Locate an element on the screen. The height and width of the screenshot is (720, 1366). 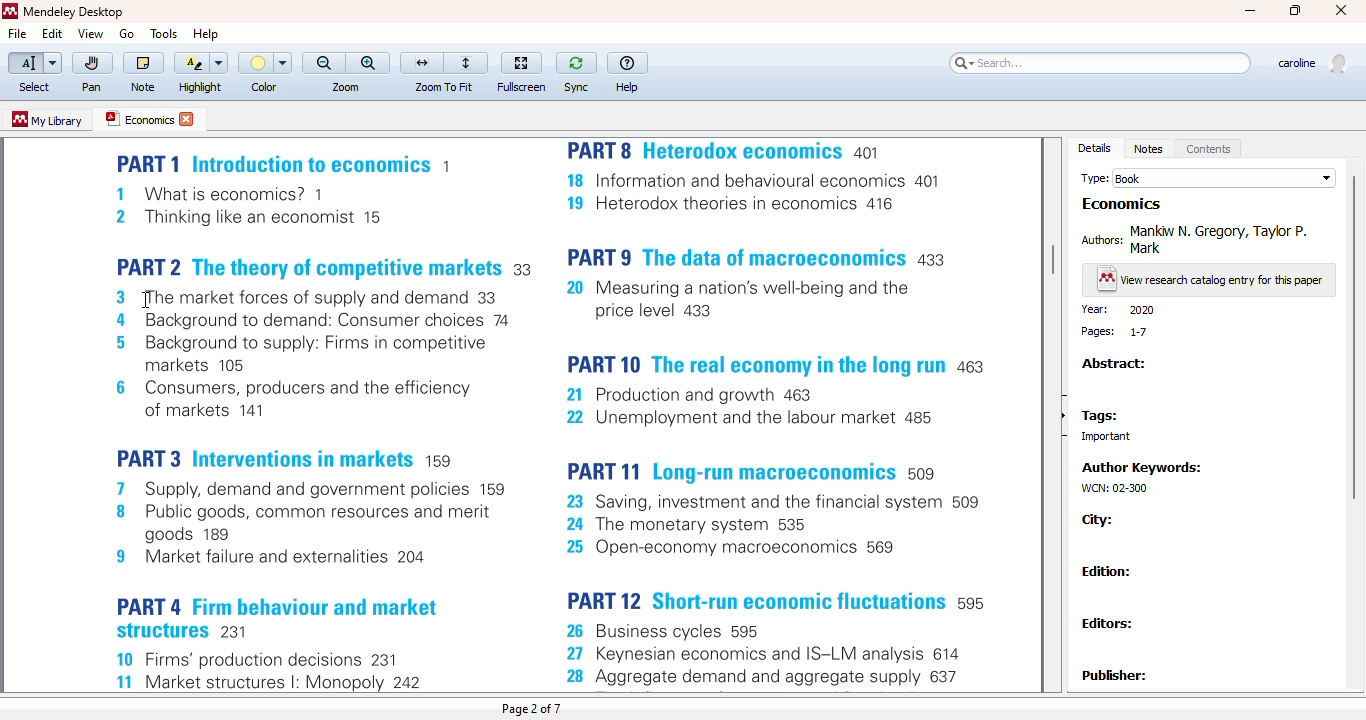
mendeley desktop is located at coordinates (74, 12).